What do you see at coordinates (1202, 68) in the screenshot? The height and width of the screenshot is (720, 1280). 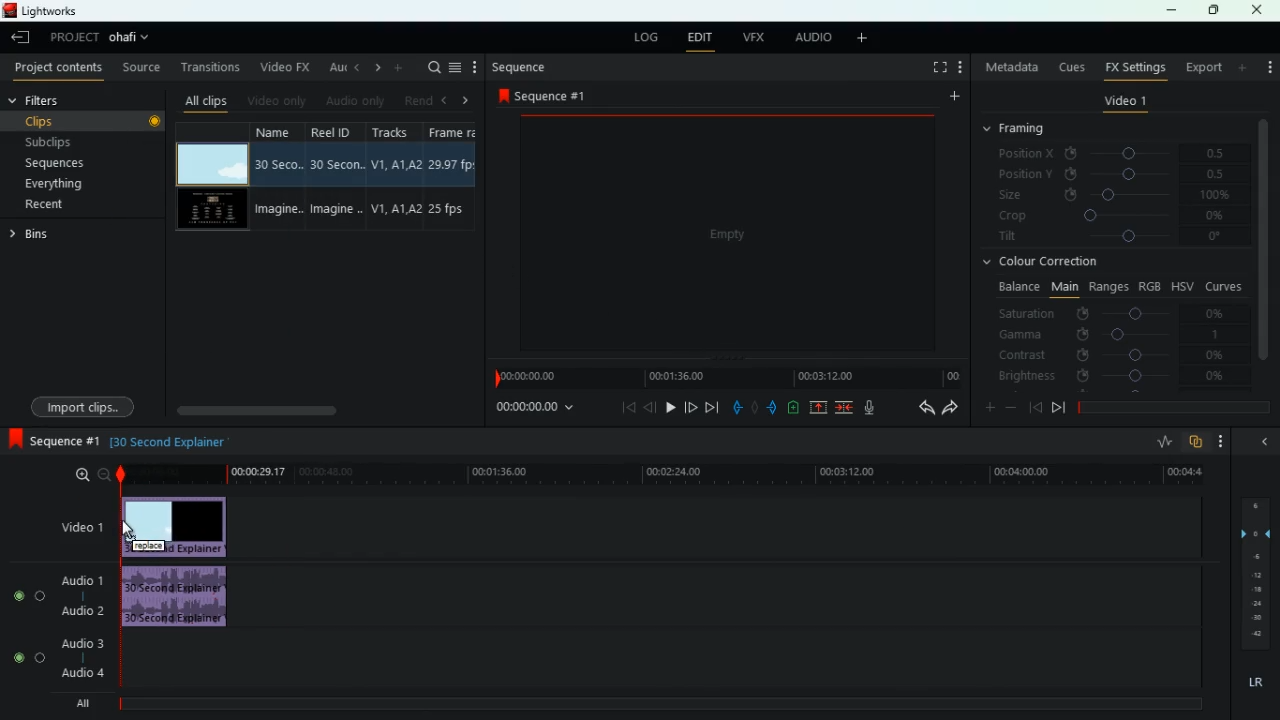 I see `export` at bounding box center [1202, 68].